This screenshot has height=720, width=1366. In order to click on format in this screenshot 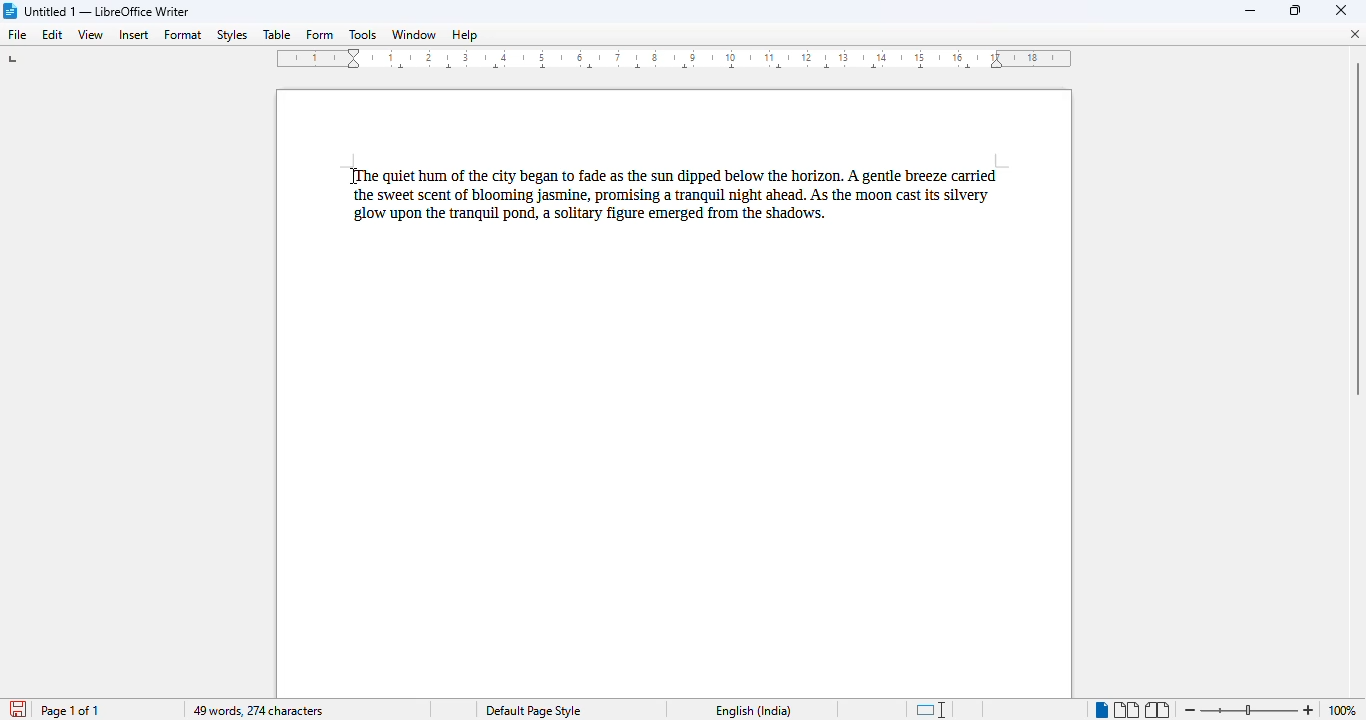, I will do `click(184, 34)`.